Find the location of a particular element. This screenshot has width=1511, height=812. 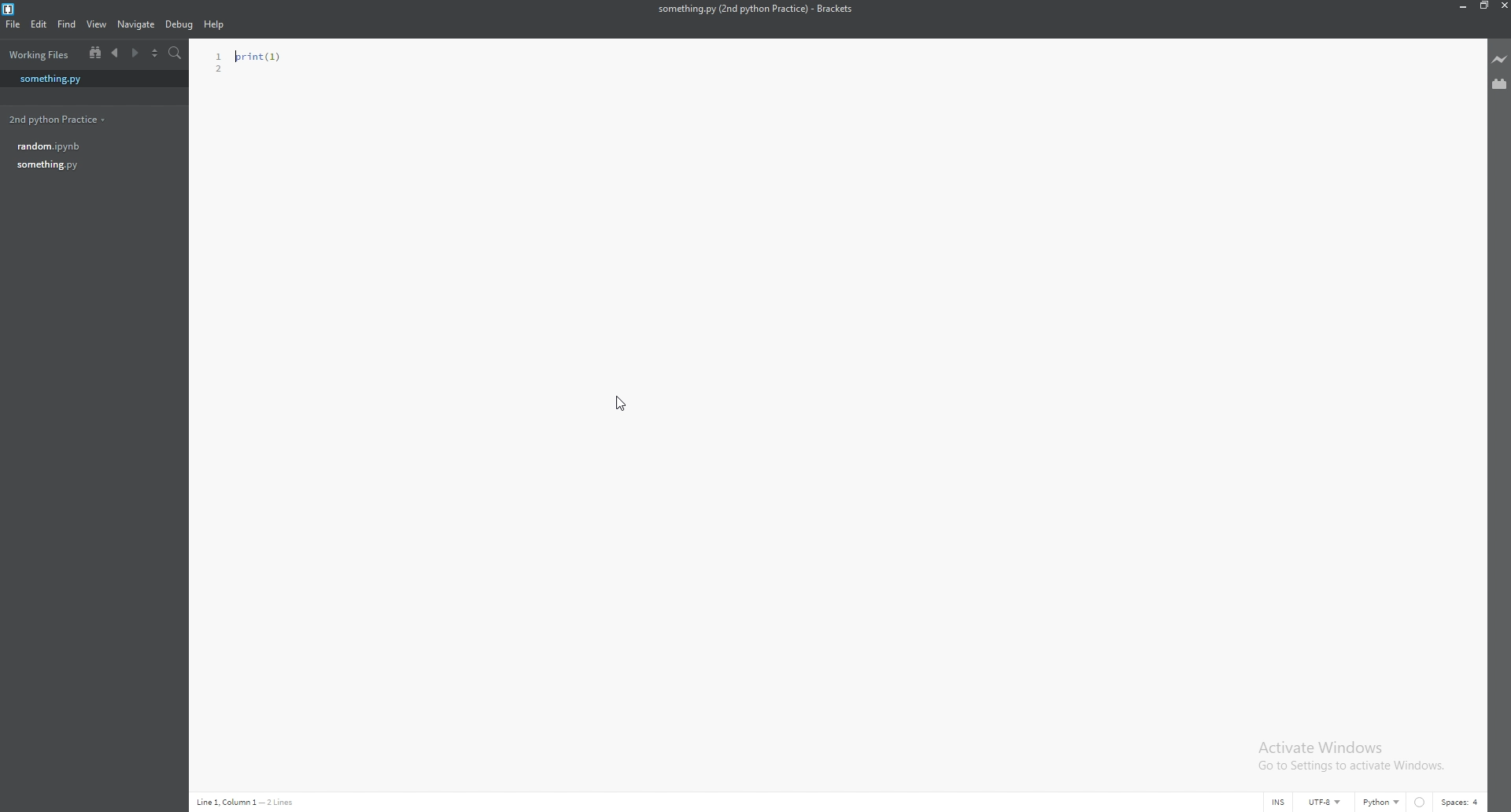

python is located at coordinates (1382, 803).